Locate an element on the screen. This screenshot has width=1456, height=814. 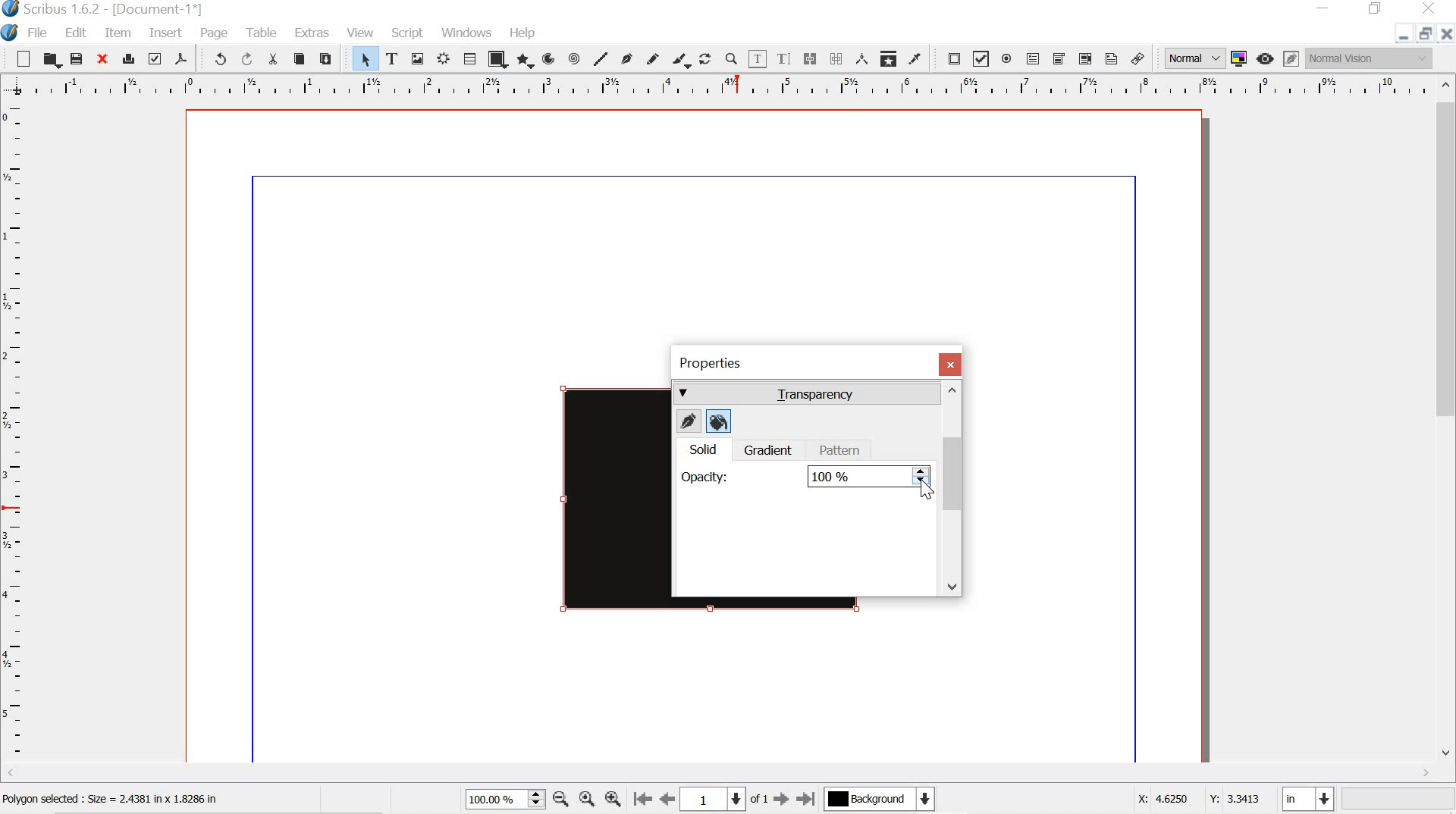
text annotation is located at coordinates (1112, 59).